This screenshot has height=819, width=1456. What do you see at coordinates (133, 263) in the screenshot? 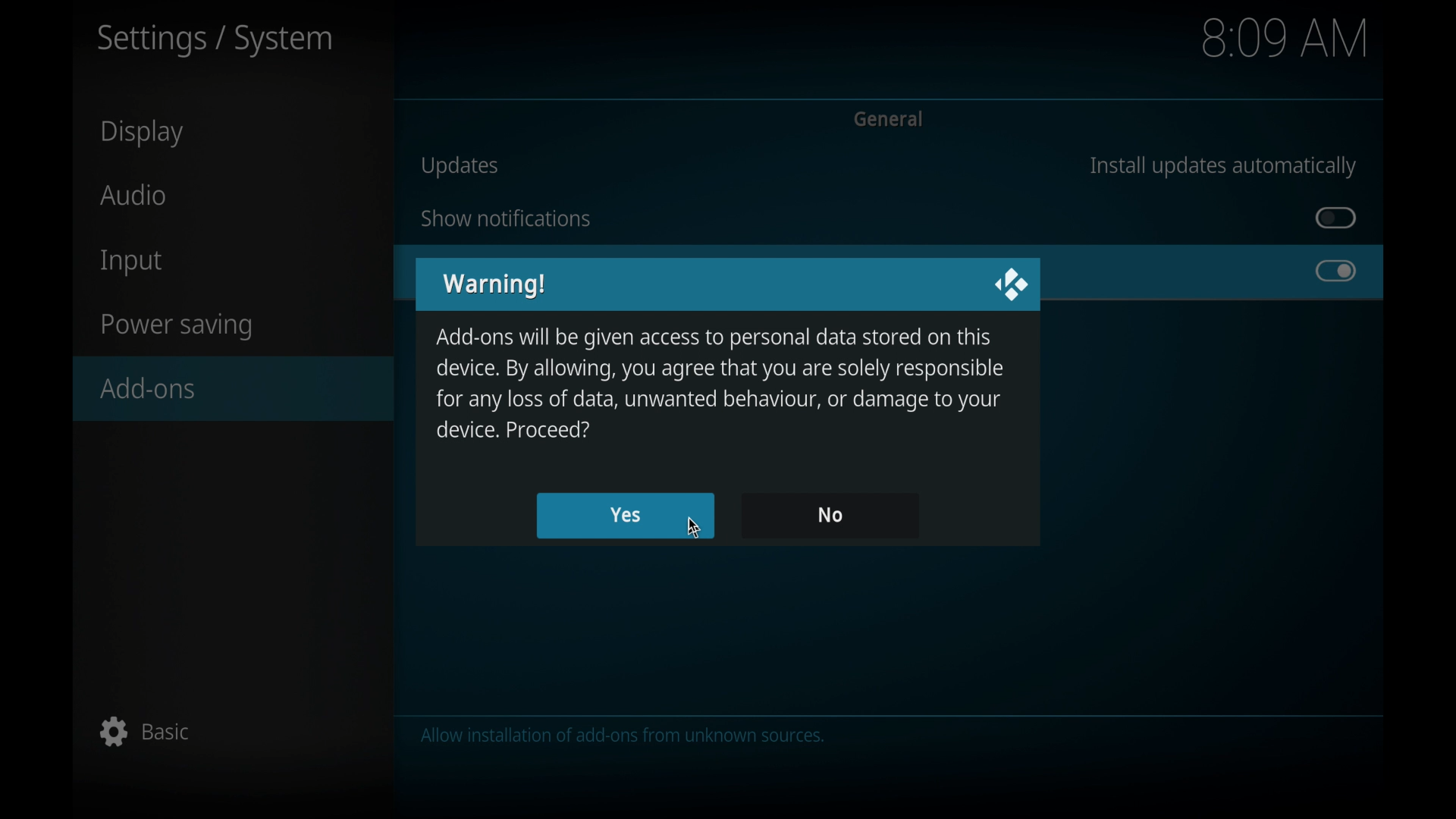
I see `input` at bounding box center [133, 263].